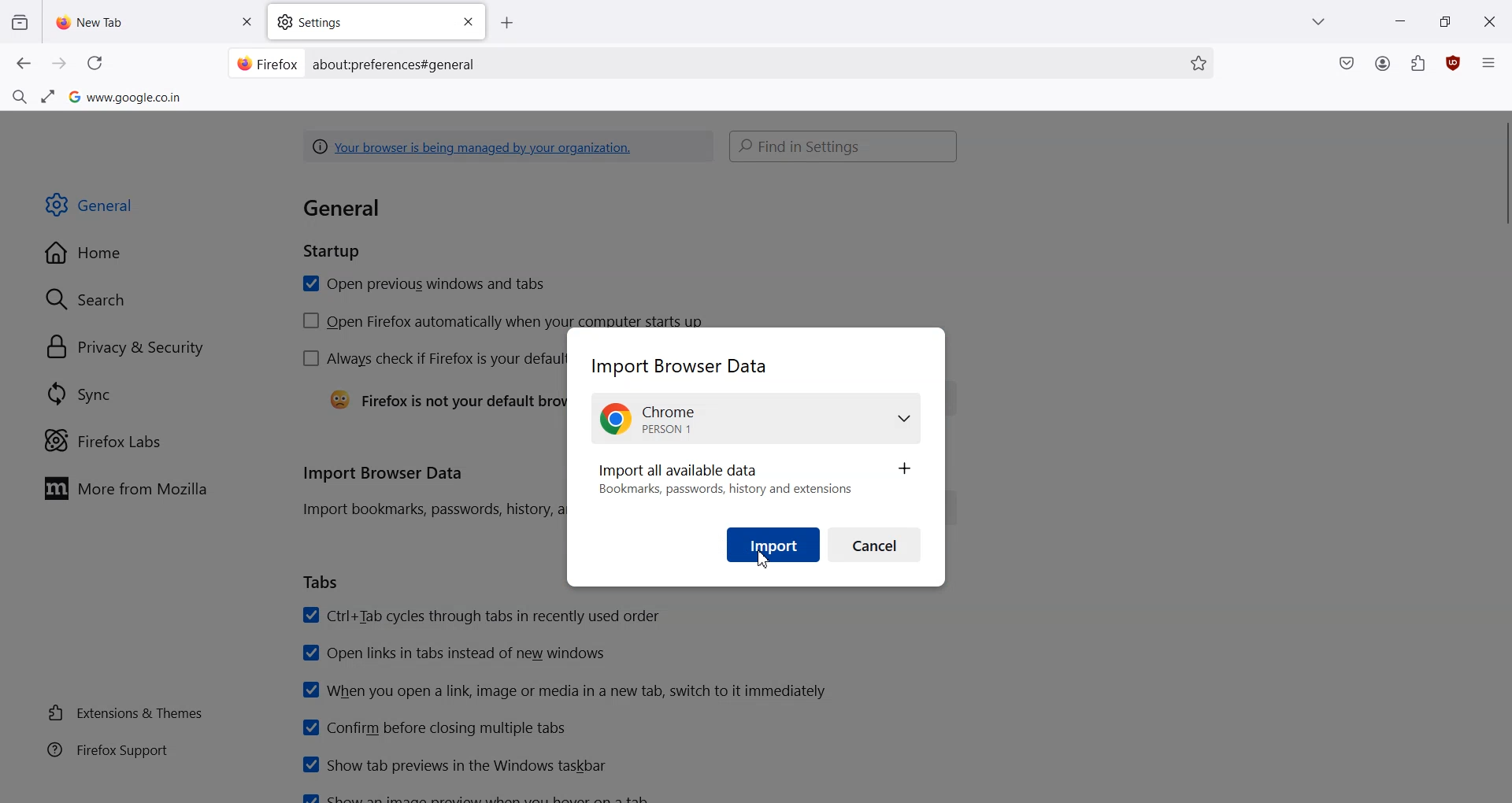 The image size is (1512, 803). I want to click on Open links in tabs instead of new windows, so click(456, 653).